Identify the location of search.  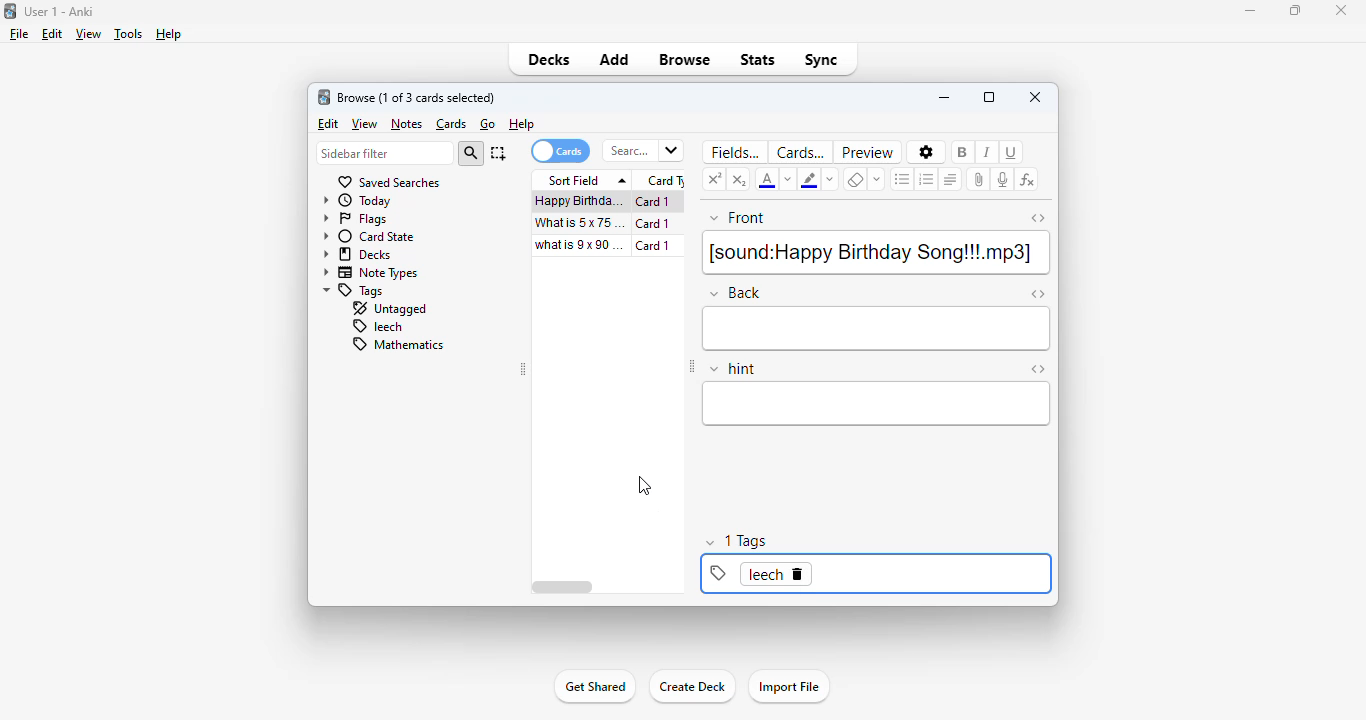
(642, 151).